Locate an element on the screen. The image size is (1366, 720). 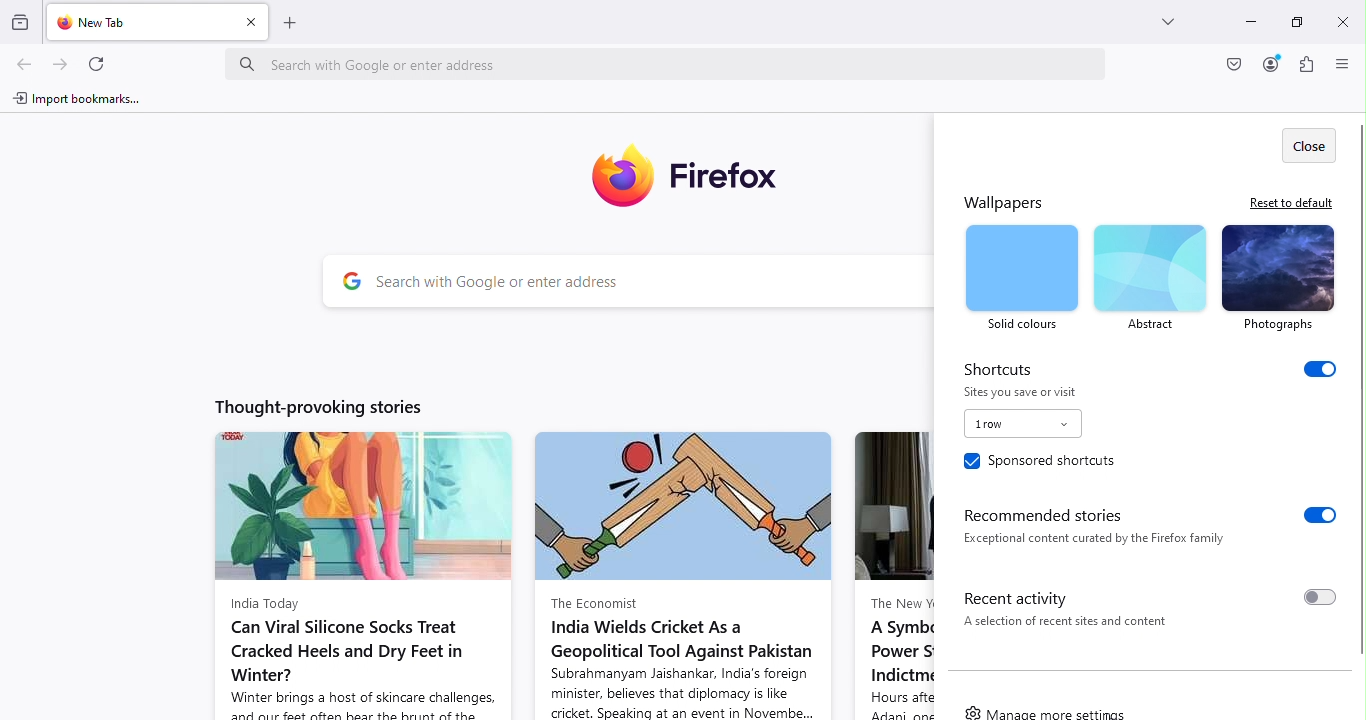
Manage more settings is located at coordinates (1051, 713).